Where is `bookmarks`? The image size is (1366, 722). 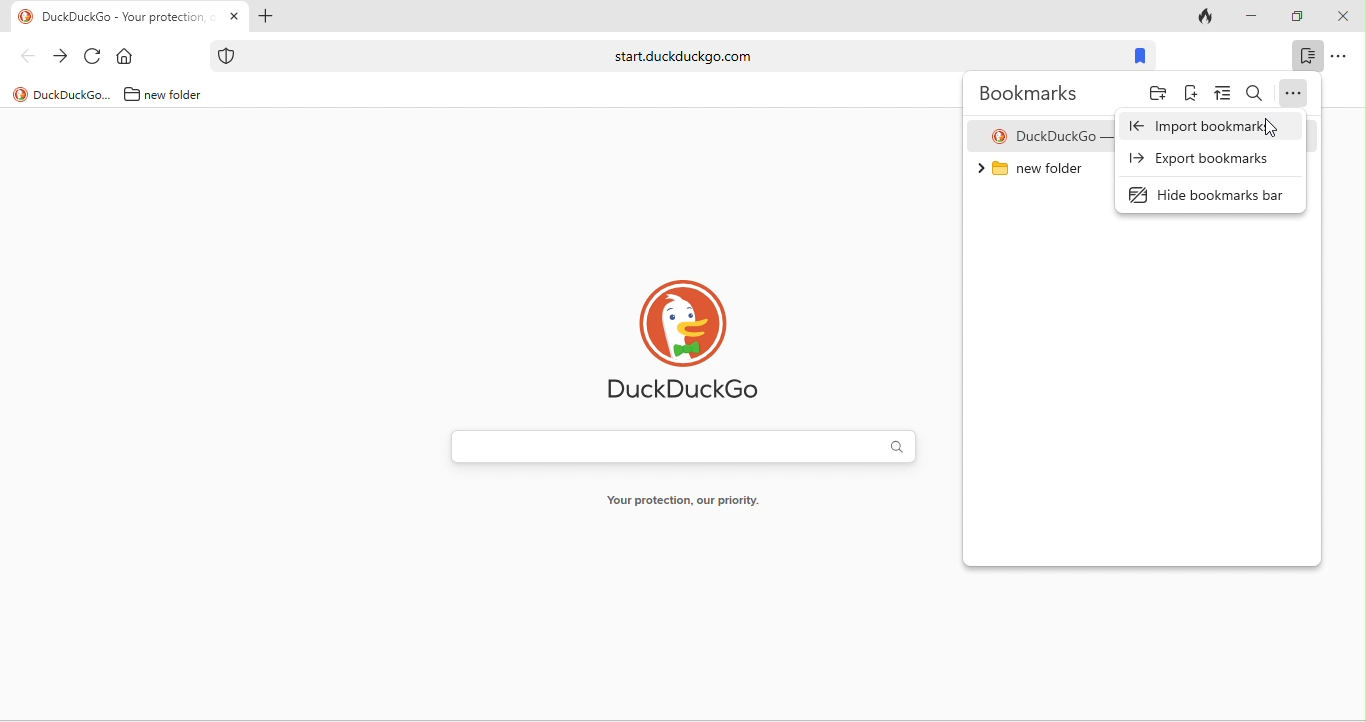 bookmarks is located at coordinates (1307, 55).